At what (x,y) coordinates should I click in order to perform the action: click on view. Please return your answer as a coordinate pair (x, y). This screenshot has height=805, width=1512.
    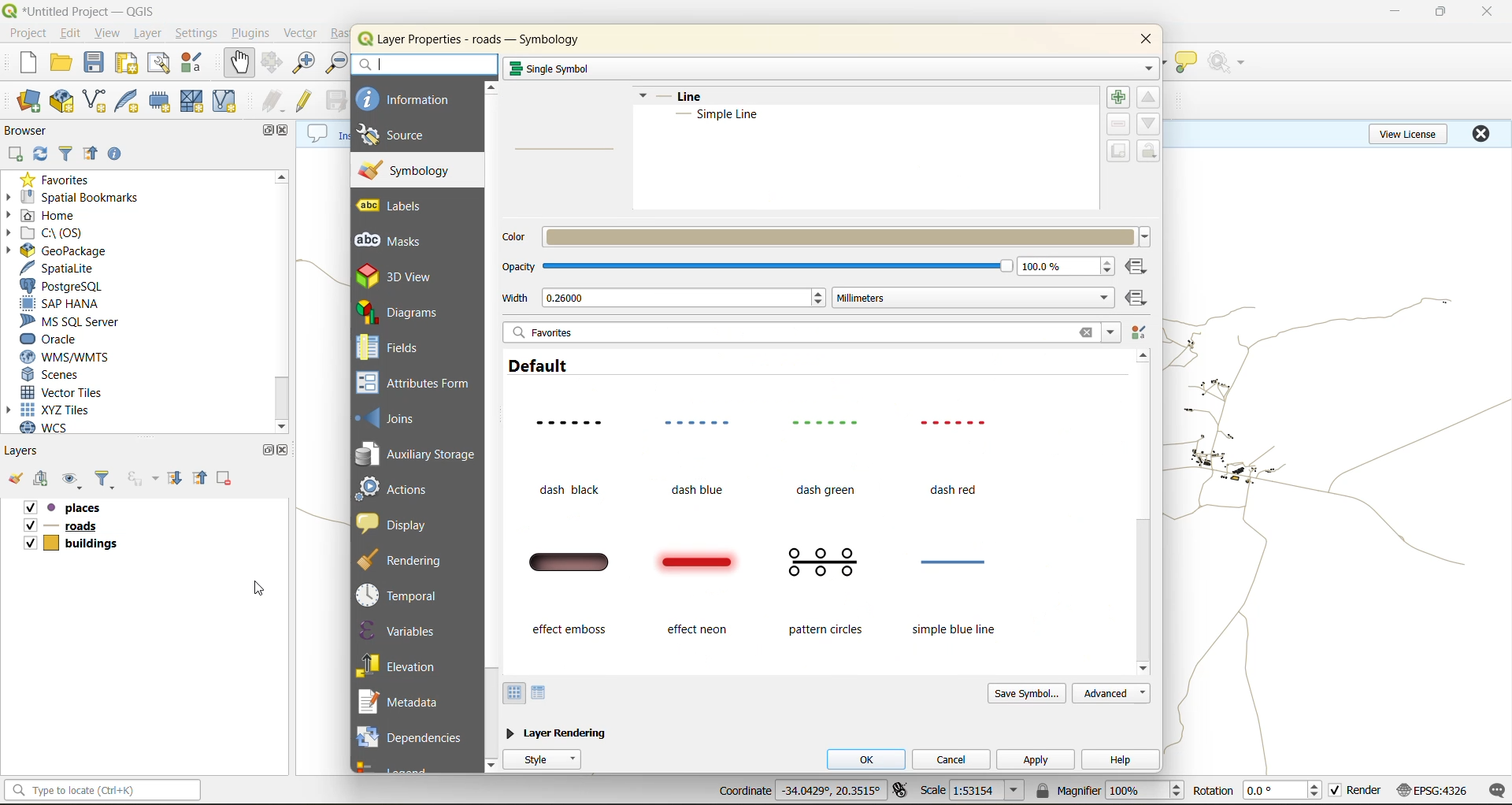
    Looking at the image, I should click on (108, 33).